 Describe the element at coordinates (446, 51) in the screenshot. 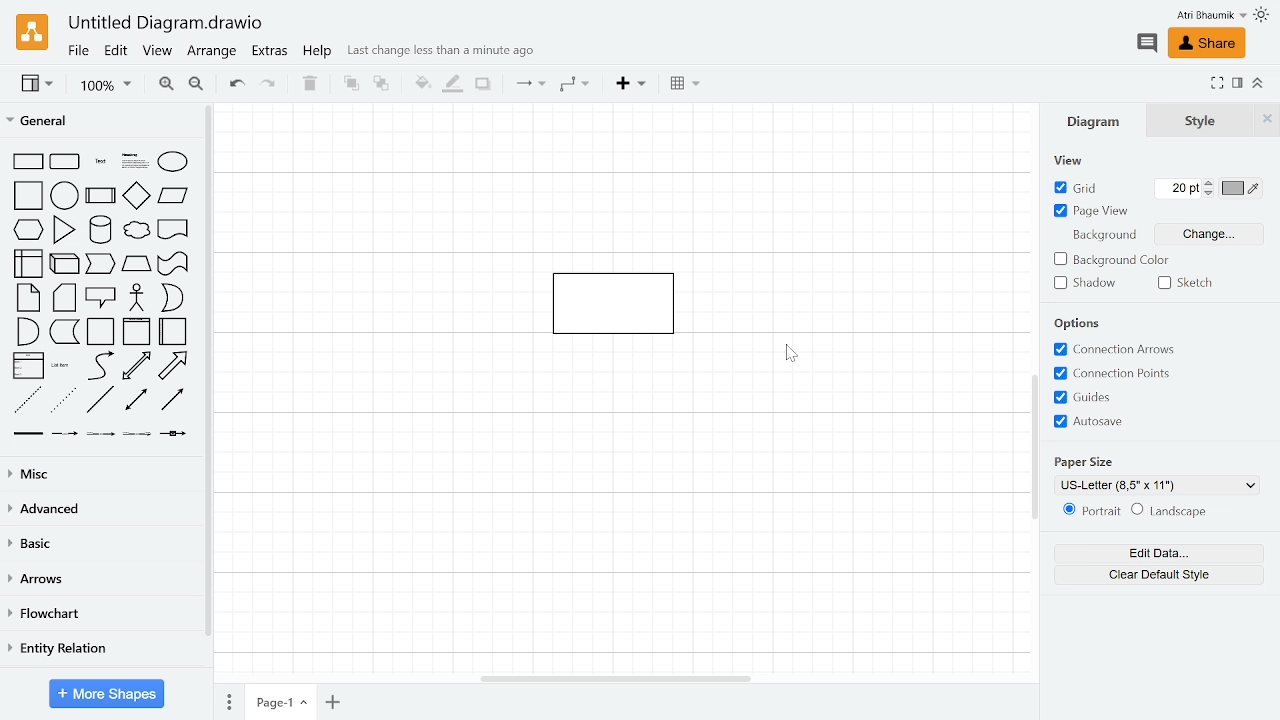

I see `last change` at that location.